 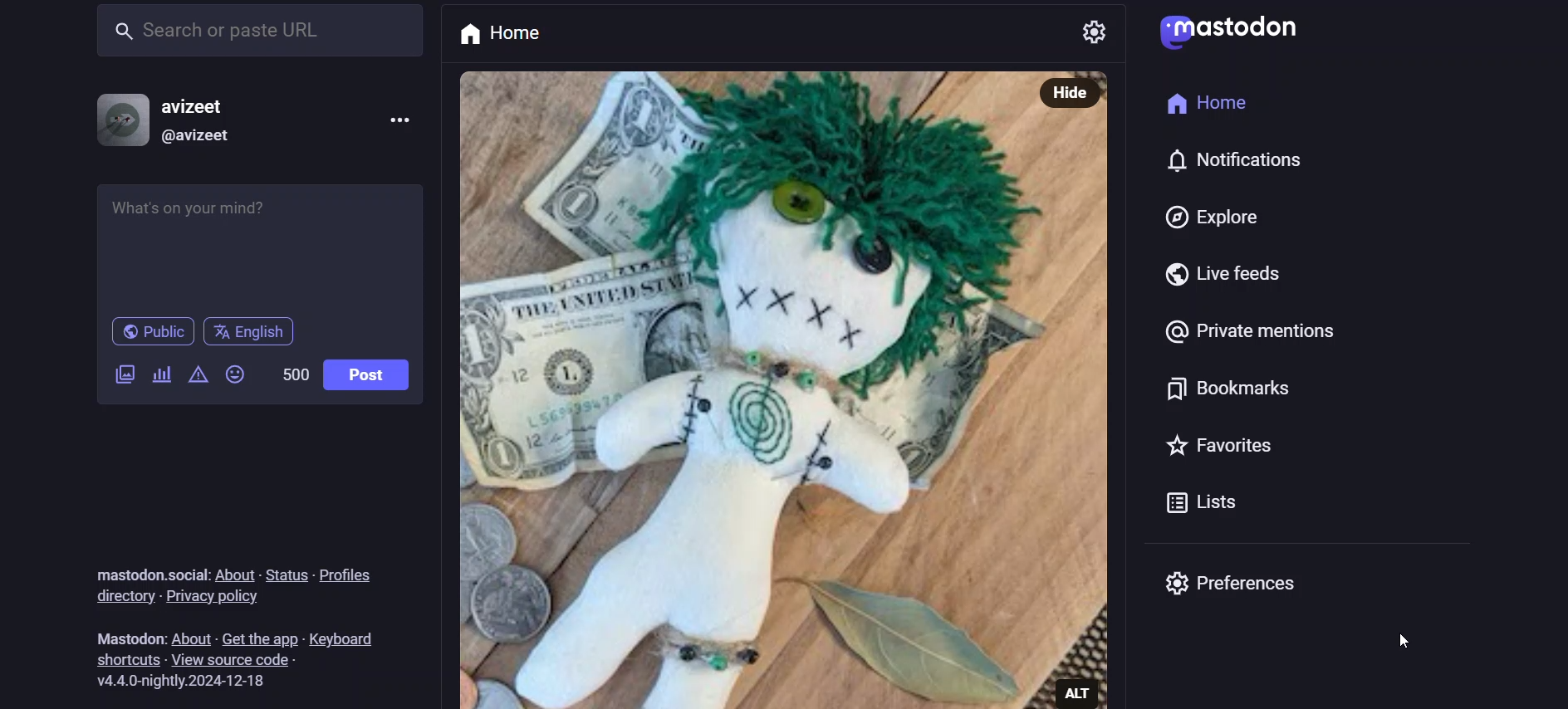 I want to click on Add a poll, so click(x=157, y=374).